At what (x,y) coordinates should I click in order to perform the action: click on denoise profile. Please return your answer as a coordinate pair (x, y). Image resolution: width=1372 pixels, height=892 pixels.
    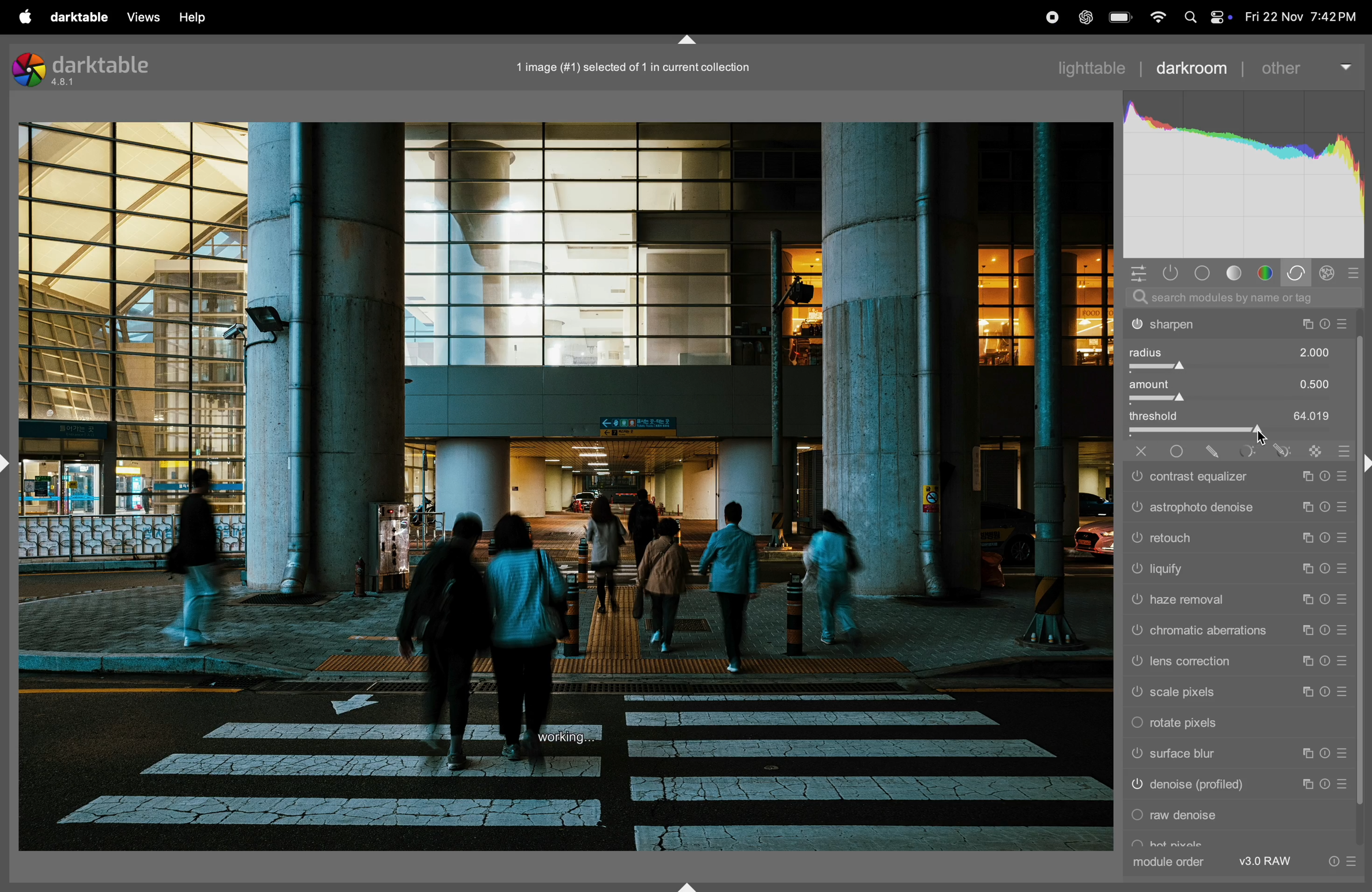
    Looking at the image, I should click on (1235, 788).